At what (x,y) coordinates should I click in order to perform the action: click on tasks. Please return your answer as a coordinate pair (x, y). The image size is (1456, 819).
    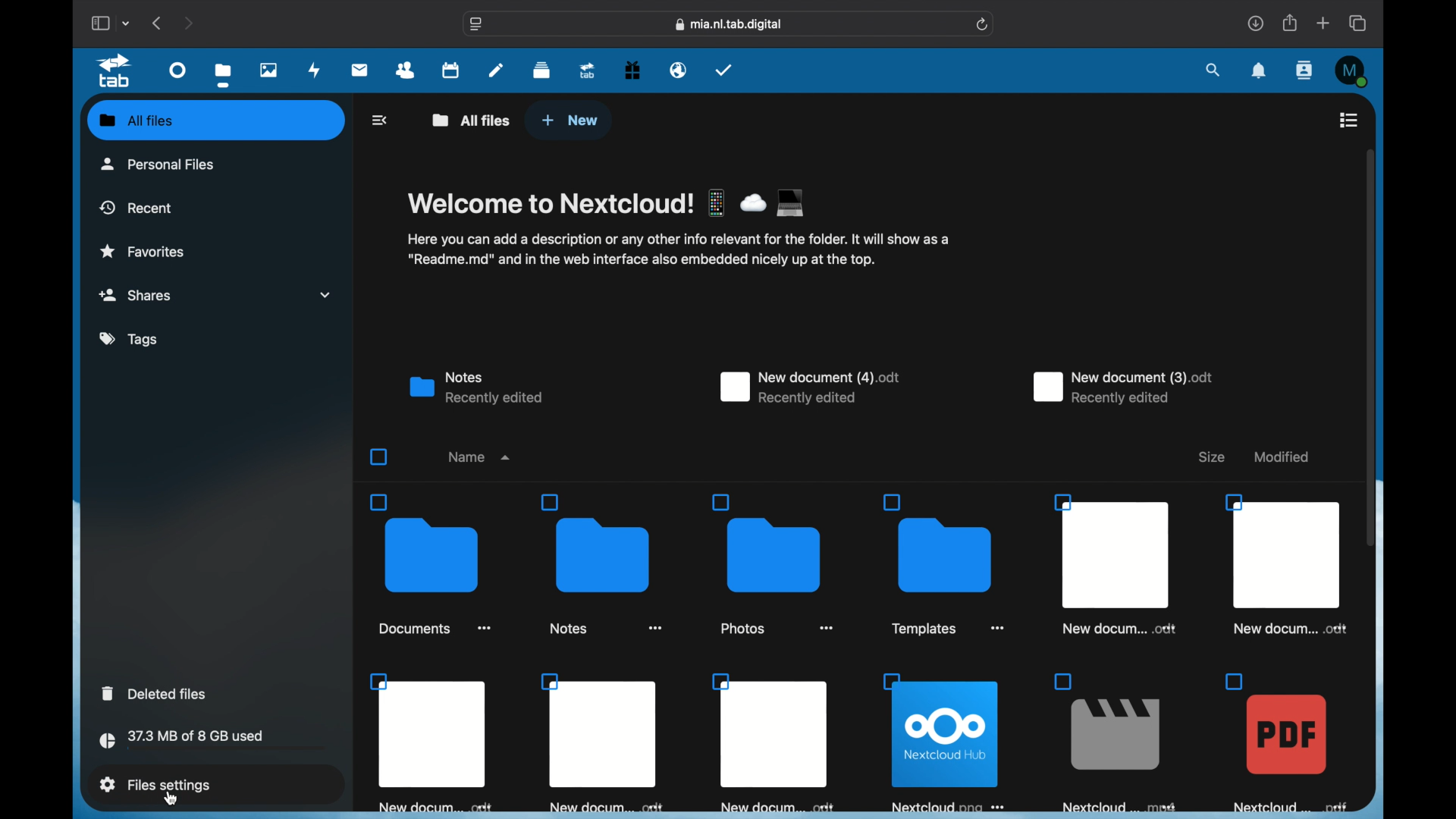
    Looking at the image, I should click on (725, 71).